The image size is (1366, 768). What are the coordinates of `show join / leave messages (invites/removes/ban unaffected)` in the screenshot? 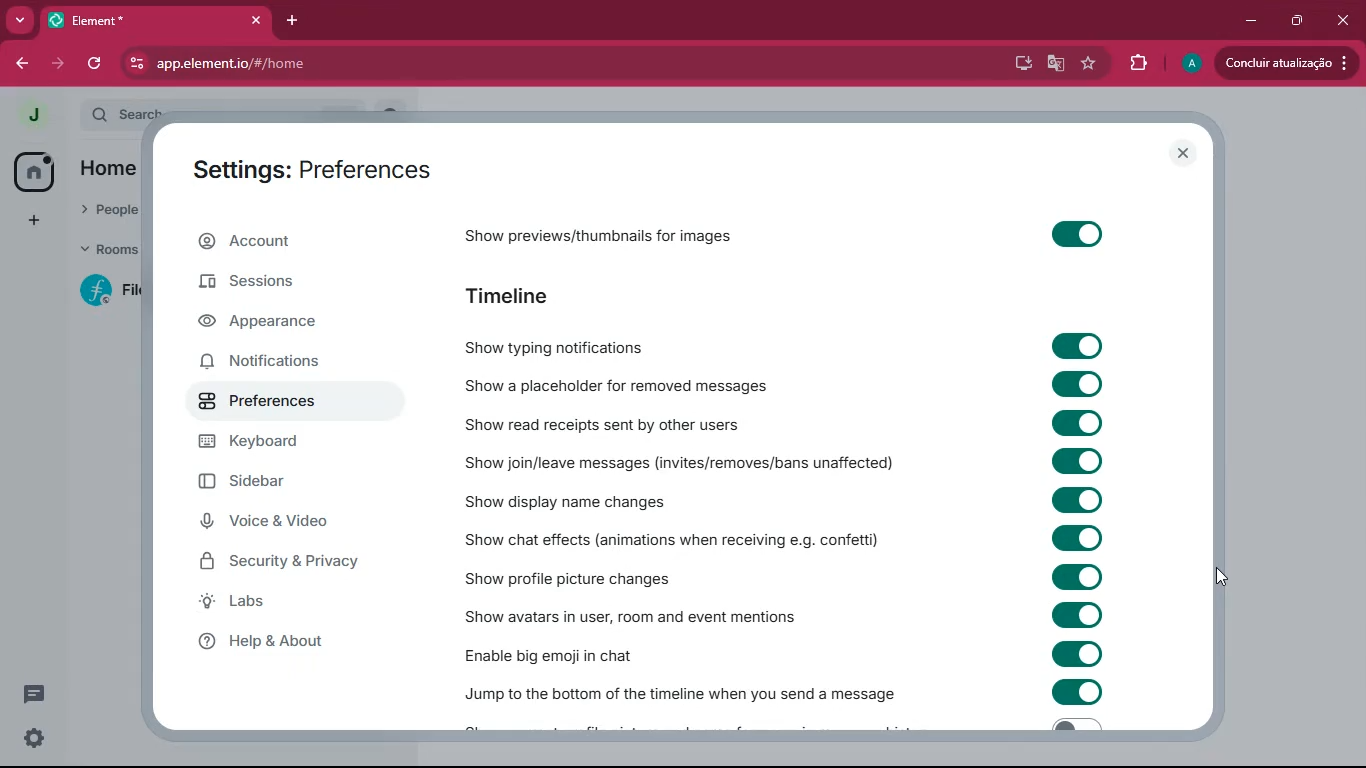 It's located at (703, 459).